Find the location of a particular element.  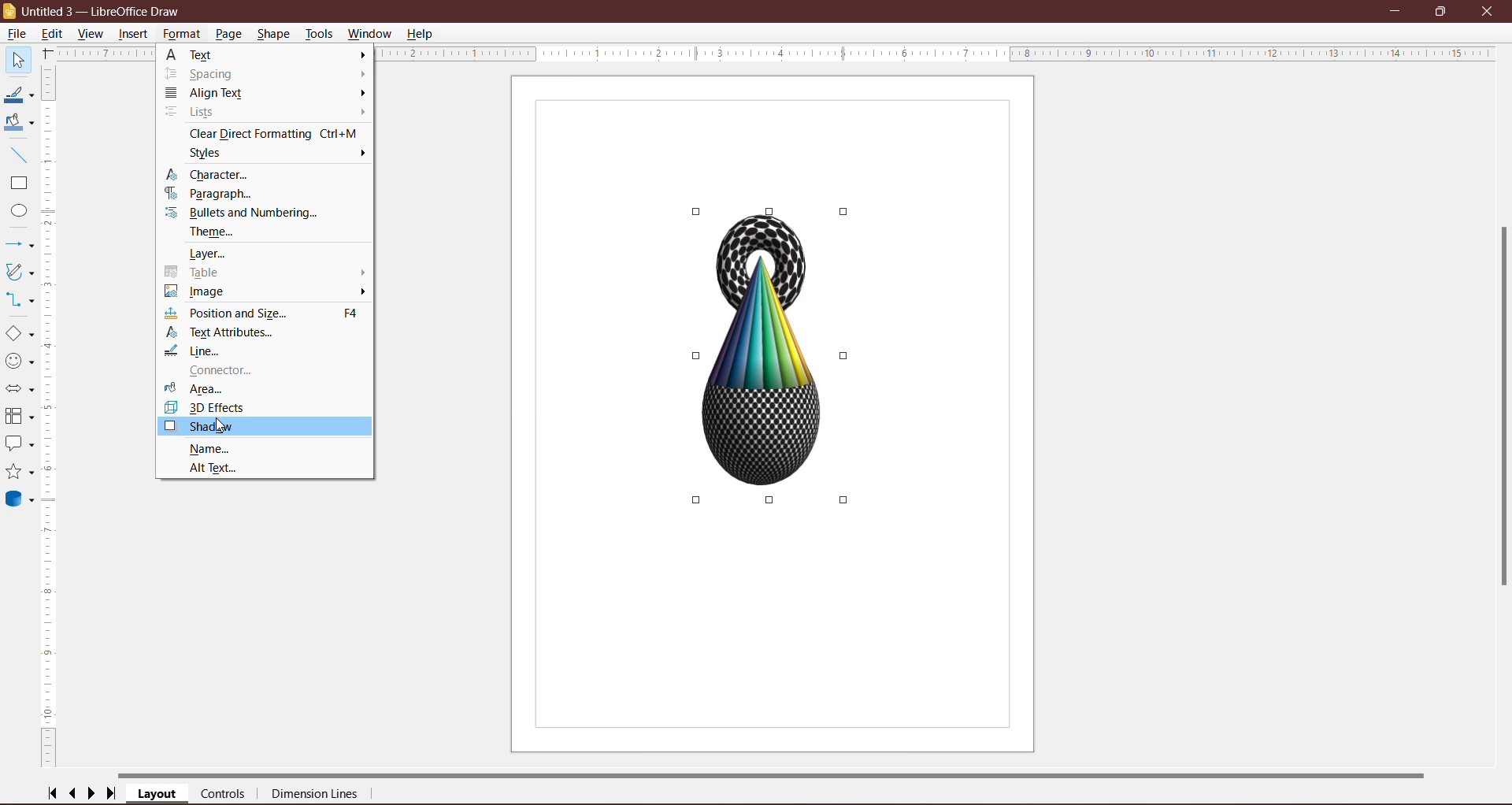

More options is located at coordinates (361, 154).